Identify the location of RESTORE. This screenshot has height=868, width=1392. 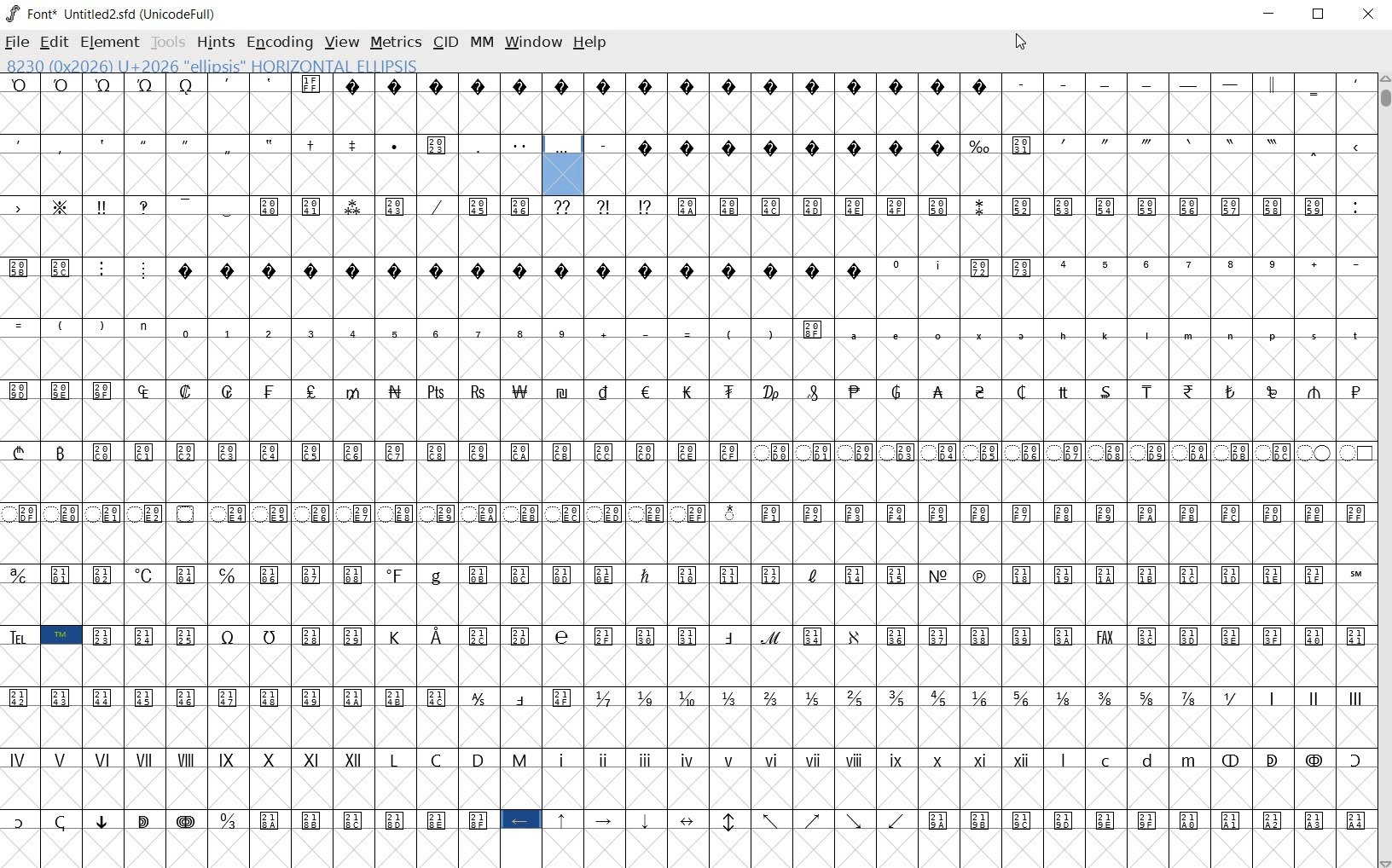
(1319, 14).